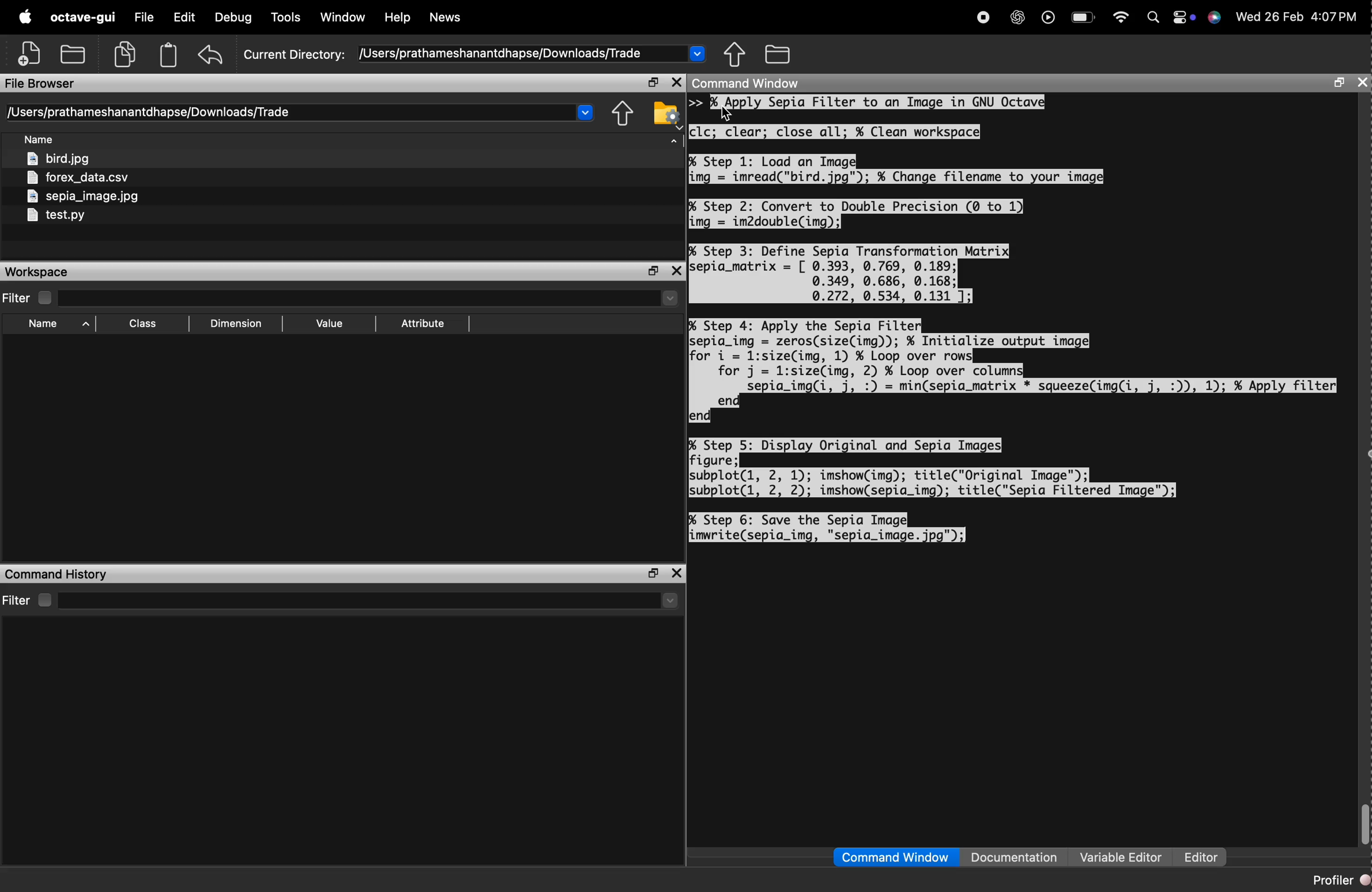  Describe the element at coordinates (679, 573) in the screenshot. I see `close` at that location.